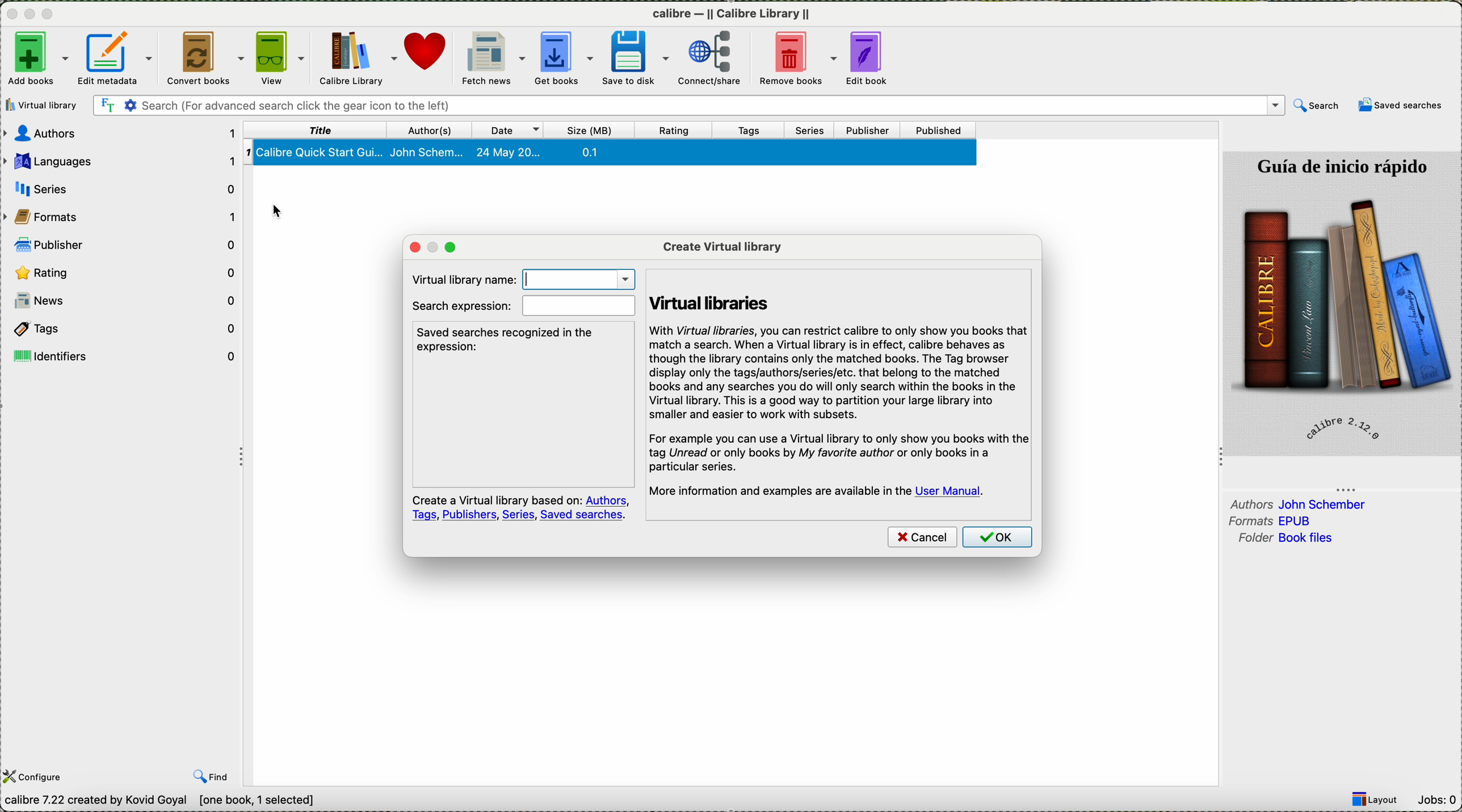  Describe the element at coordinates (871, 130) in the screenshot. I see `publisher` at that location.